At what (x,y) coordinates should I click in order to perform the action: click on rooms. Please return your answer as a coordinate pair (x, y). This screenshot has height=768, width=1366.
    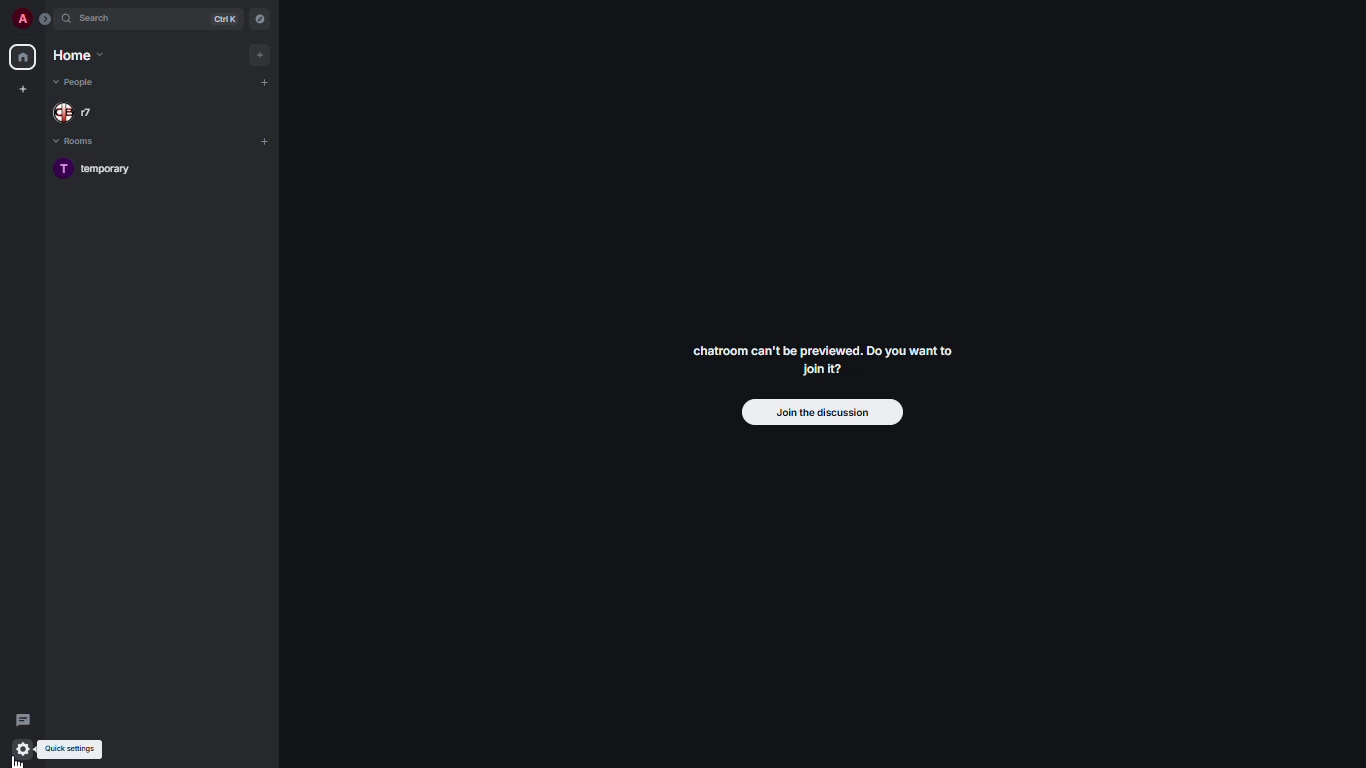
    Looking at the image, I should click on (78, 142).